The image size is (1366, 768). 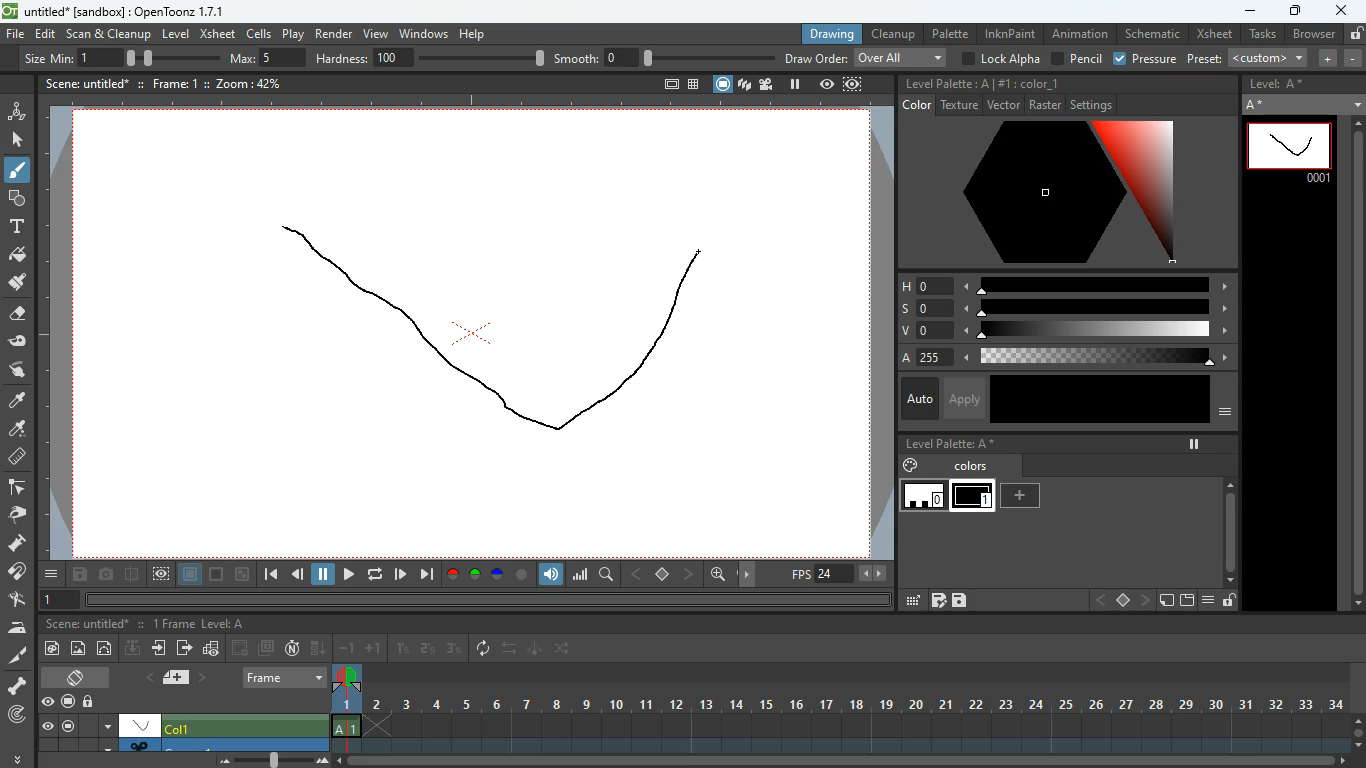 What do you see at coordinates (1075, 59) in the screenshot?
I see `pencil` at bounding box center [1075, 59].